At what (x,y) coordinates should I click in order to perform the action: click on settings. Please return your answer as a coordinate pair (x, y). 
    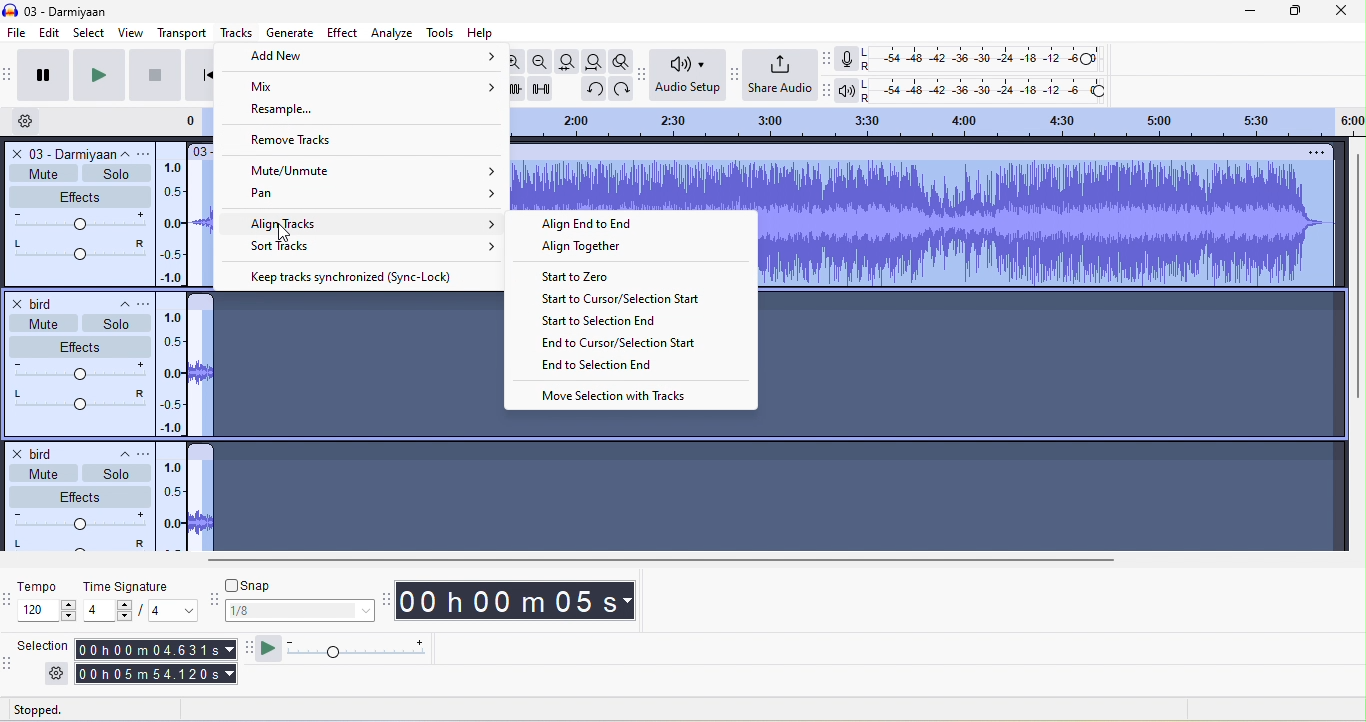
    Looking at the image, I should click on (55, 674).